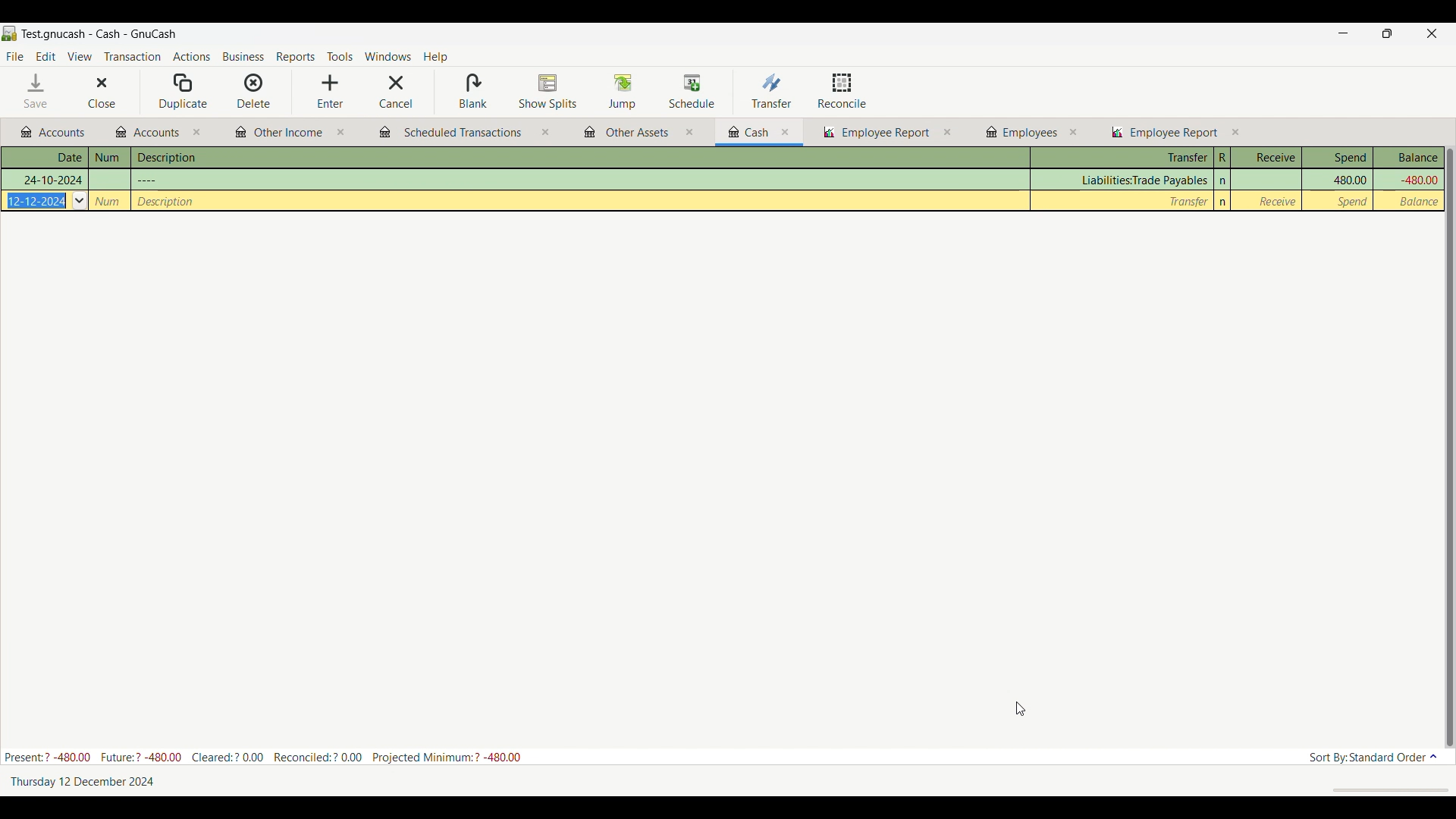  I want to click on , so click(108, 201).